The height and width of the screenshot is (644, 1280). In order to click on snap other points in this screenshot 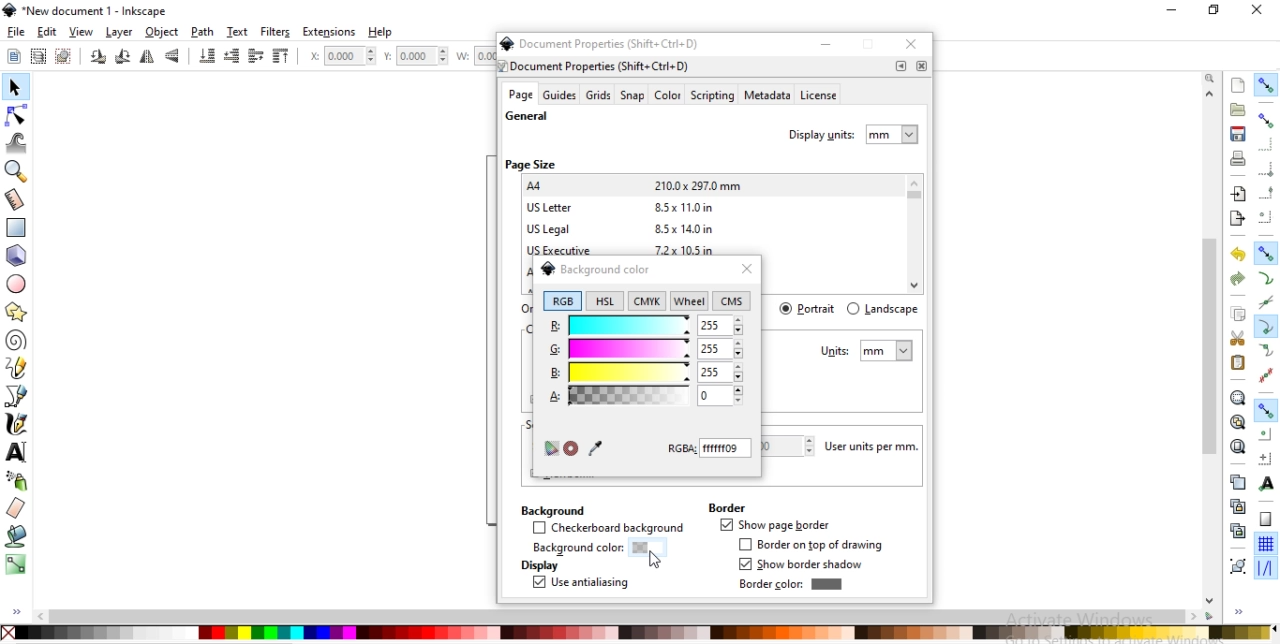, I will do `click(1266, 410)`.